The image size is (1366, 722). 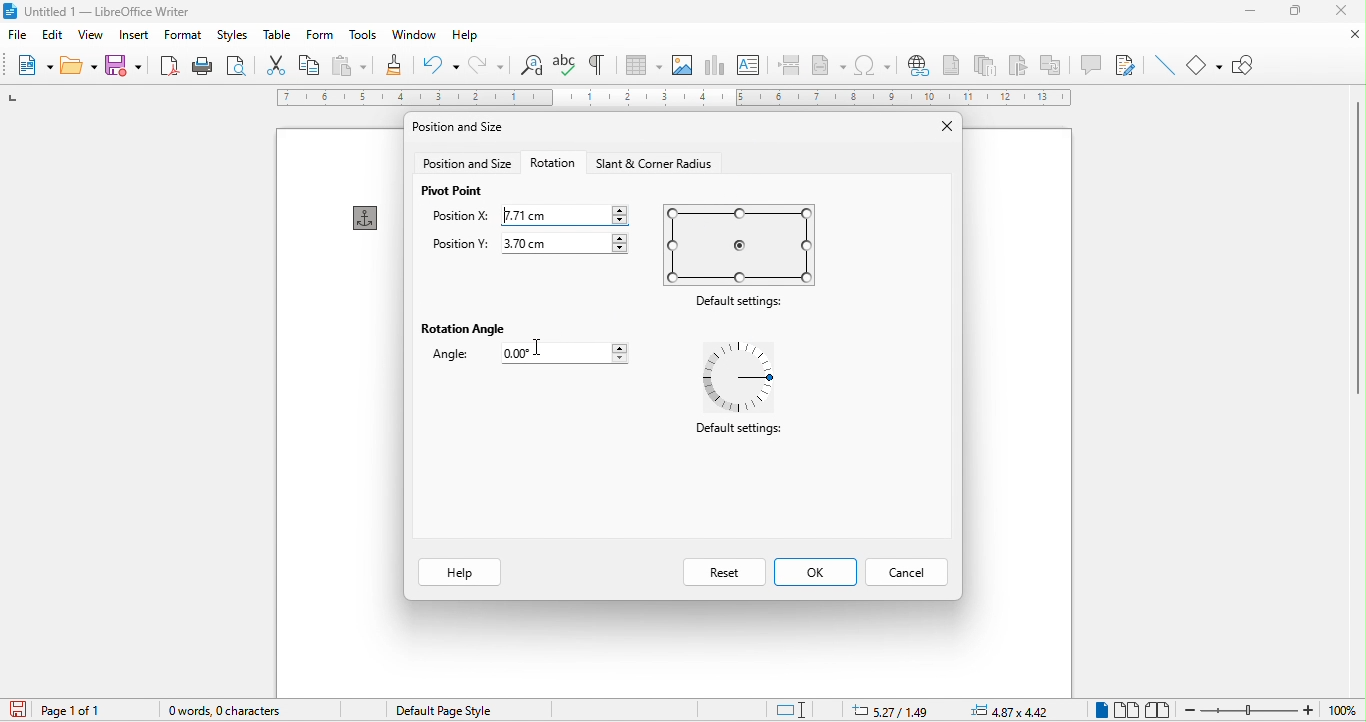 I want to click on endnote, so click(x=986, y=64).